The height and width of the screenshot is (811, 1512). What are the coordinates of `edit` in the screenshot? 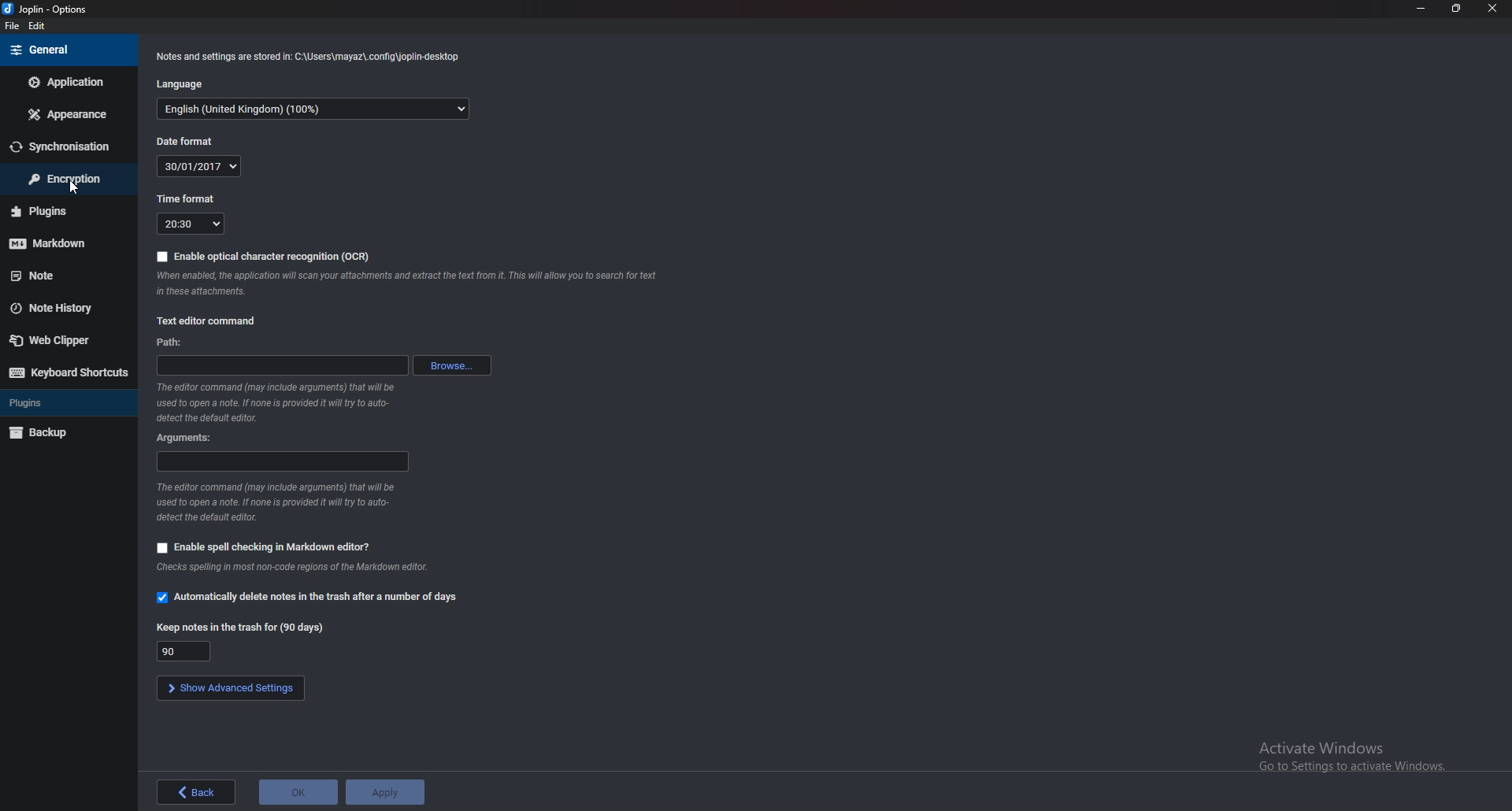 It's located at (37, 24).